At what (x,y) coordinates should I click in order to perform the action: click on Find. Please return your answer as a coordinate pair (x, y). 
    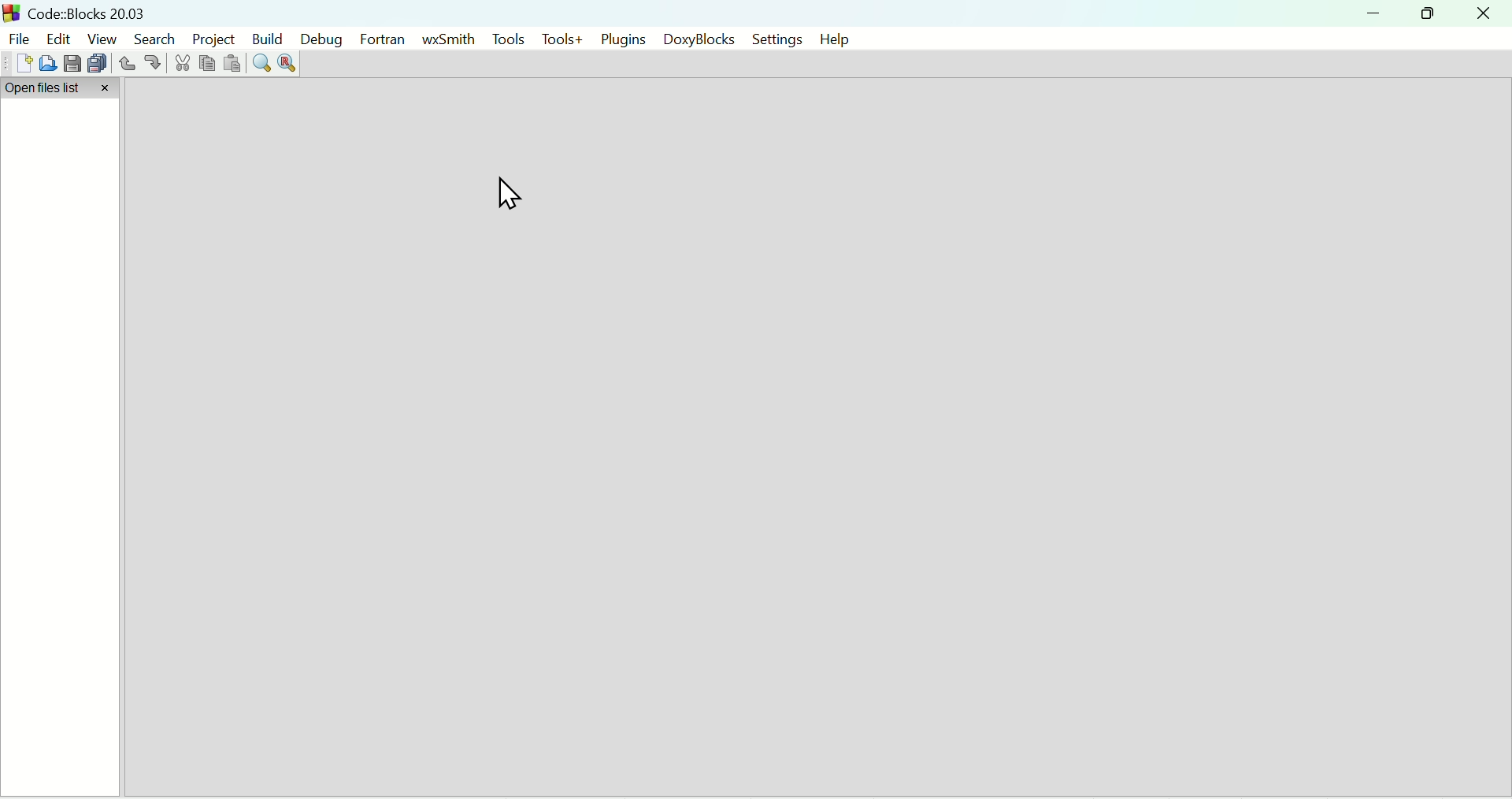
    Looking at the image, I should click on (261, 64).